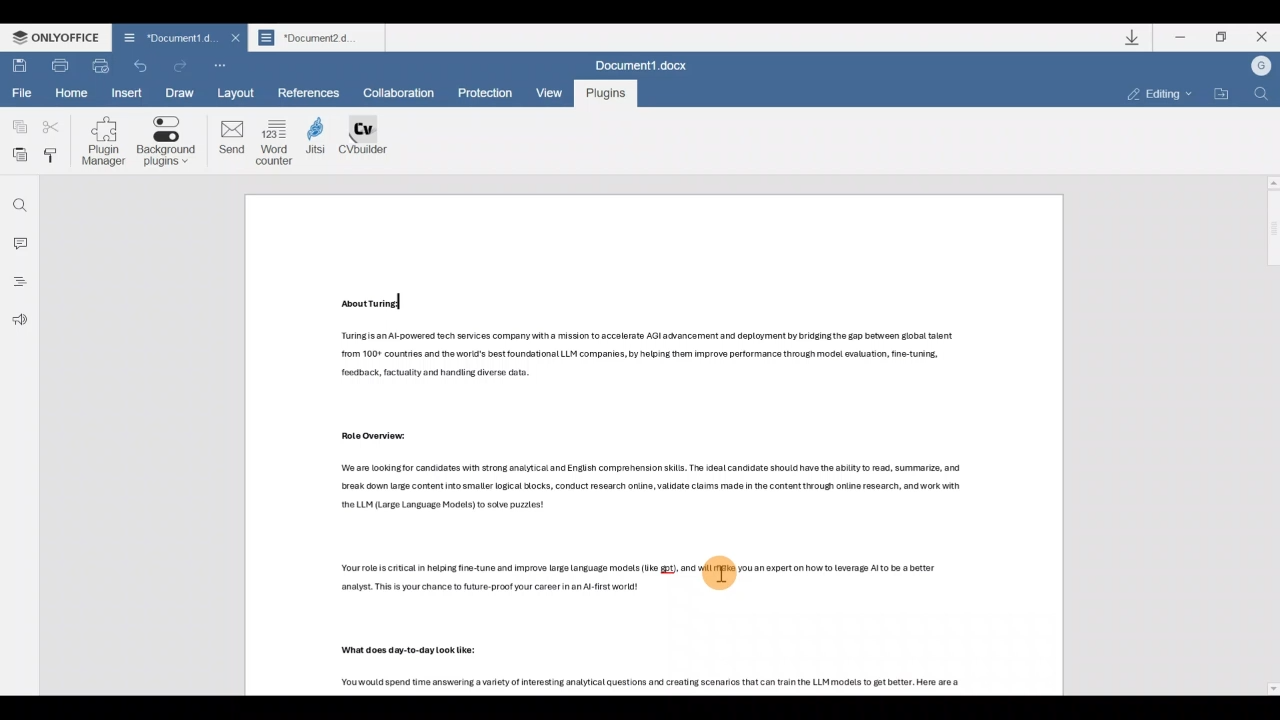 The height and width of the screenshot is (720, 1280). Describe the element at coordinates (166, 144) in the screenshot. I see `Background plugins` at that location.